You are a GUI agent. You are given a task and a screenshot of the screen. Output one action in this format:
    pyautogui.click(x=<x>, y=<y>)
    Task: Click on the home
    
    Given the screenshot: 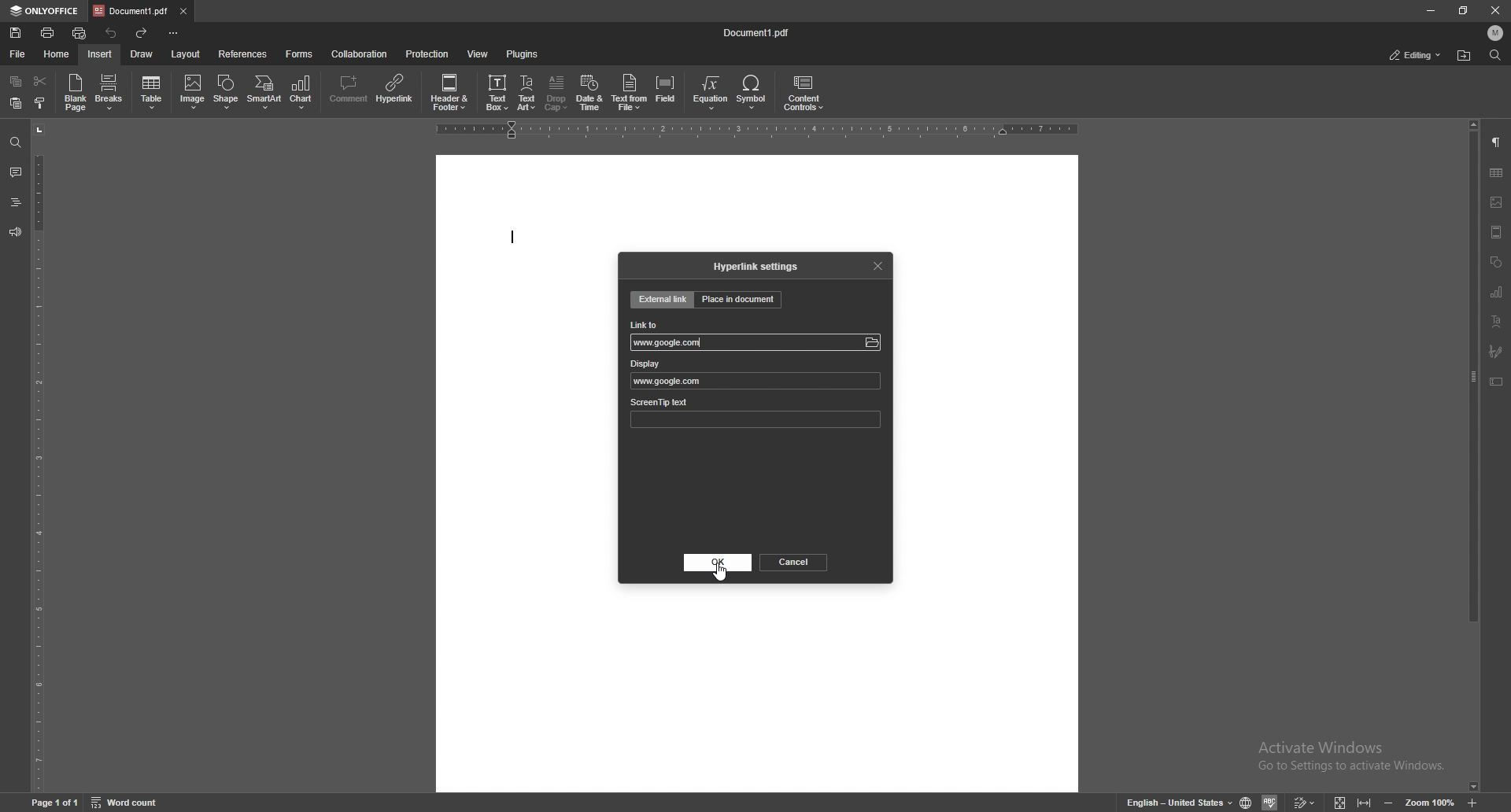 What is the action you would take?
    pyautogui.click(x=54, y=53)
    